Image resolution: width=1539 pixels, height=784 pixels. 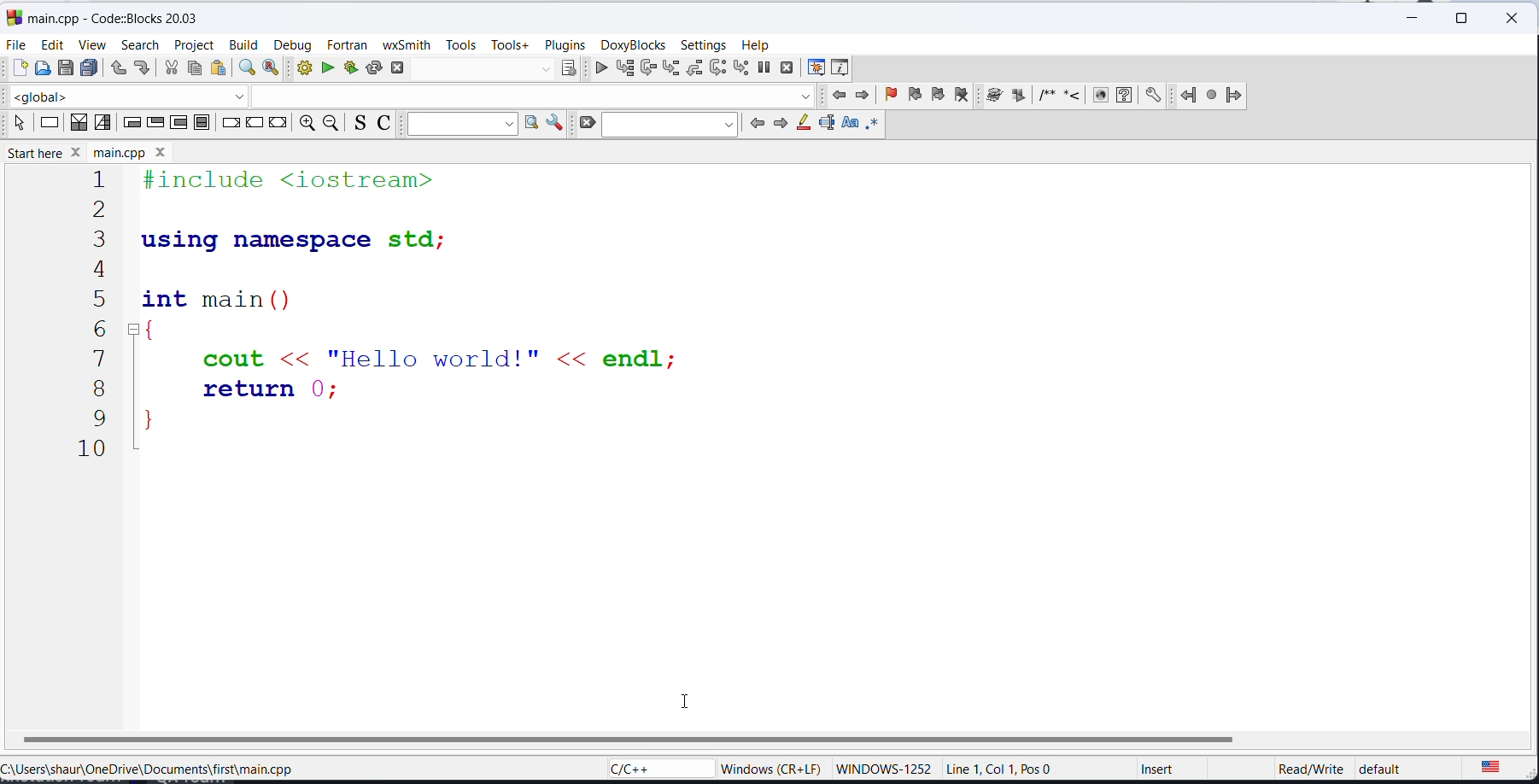 I want to click on BUILD AND RUN, so click(x=349, y=69).